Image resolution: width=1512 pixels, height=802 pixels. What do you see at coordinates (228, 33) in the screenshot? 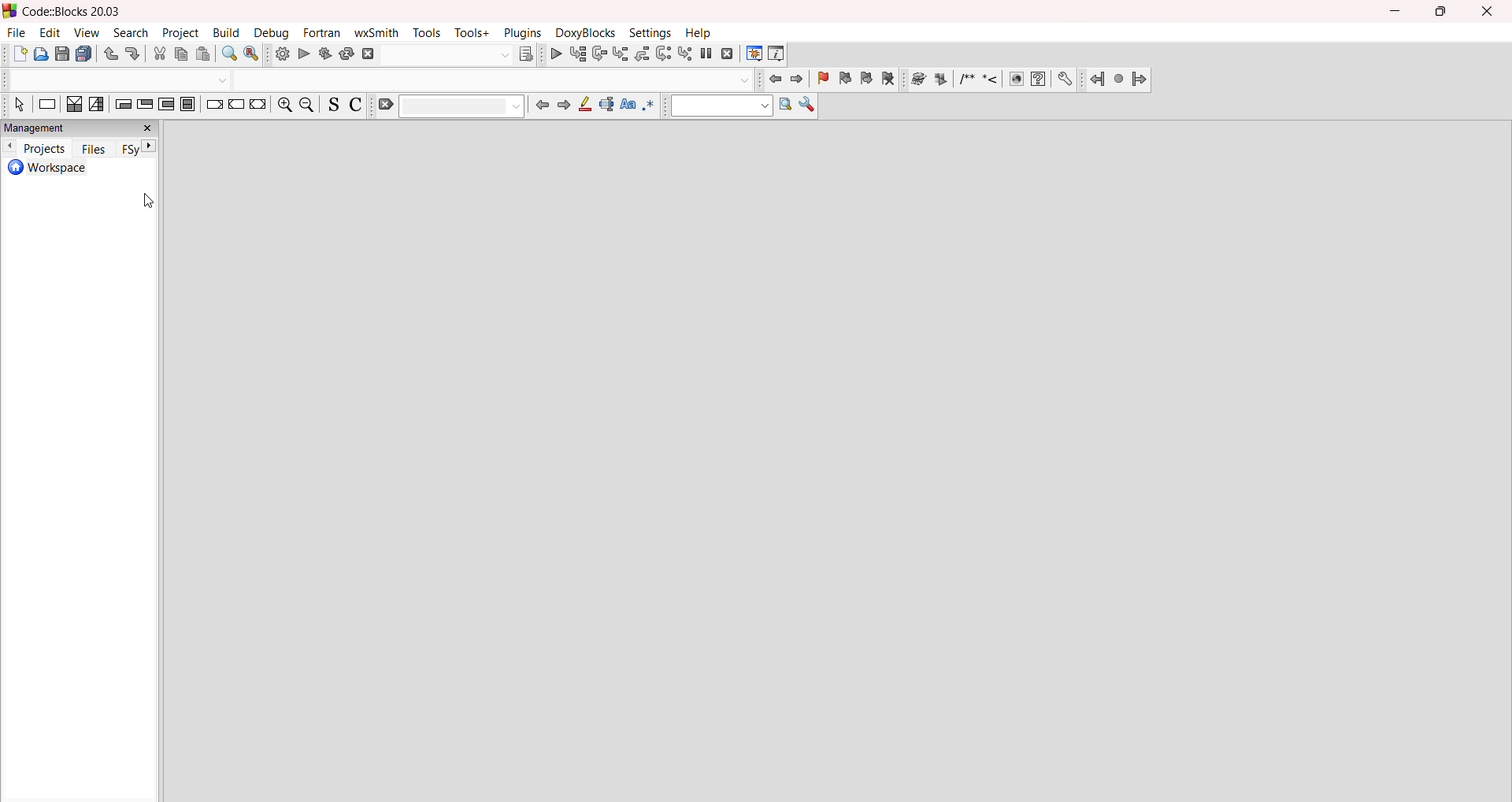
I see `build` at bounding box center [228, 33].